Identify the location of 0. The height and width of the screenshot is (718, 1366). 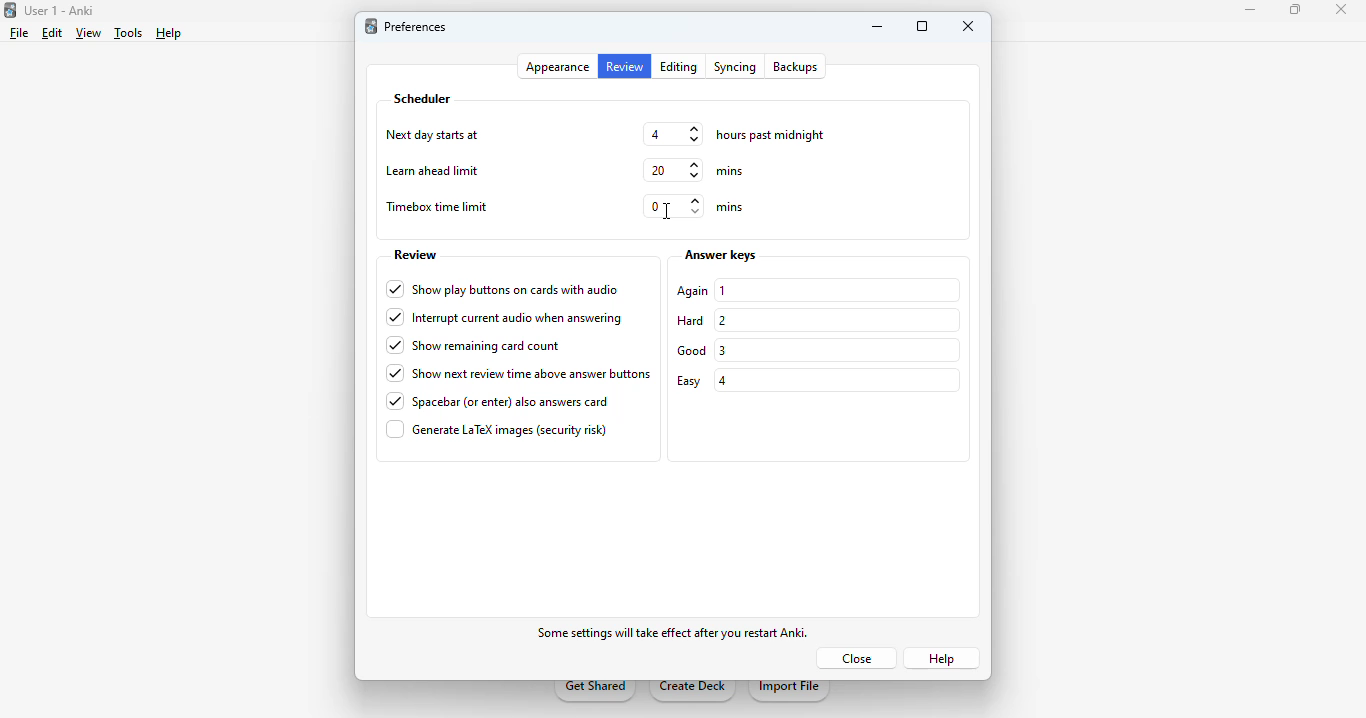
(671, 206).